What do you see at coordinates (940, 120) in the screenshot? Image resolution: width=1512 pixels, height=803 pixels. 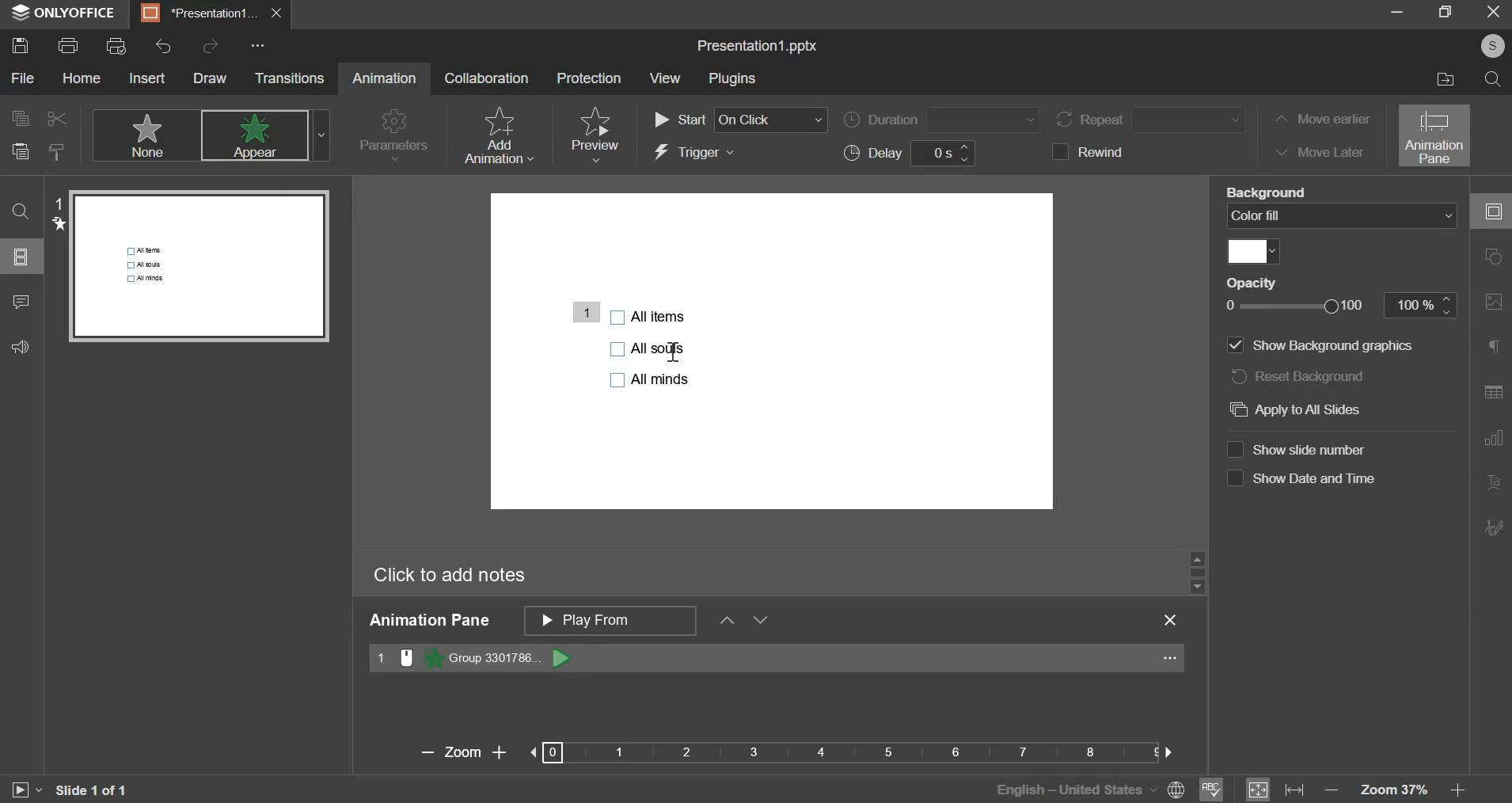 I see `duration` at bounding box center [940, 120].